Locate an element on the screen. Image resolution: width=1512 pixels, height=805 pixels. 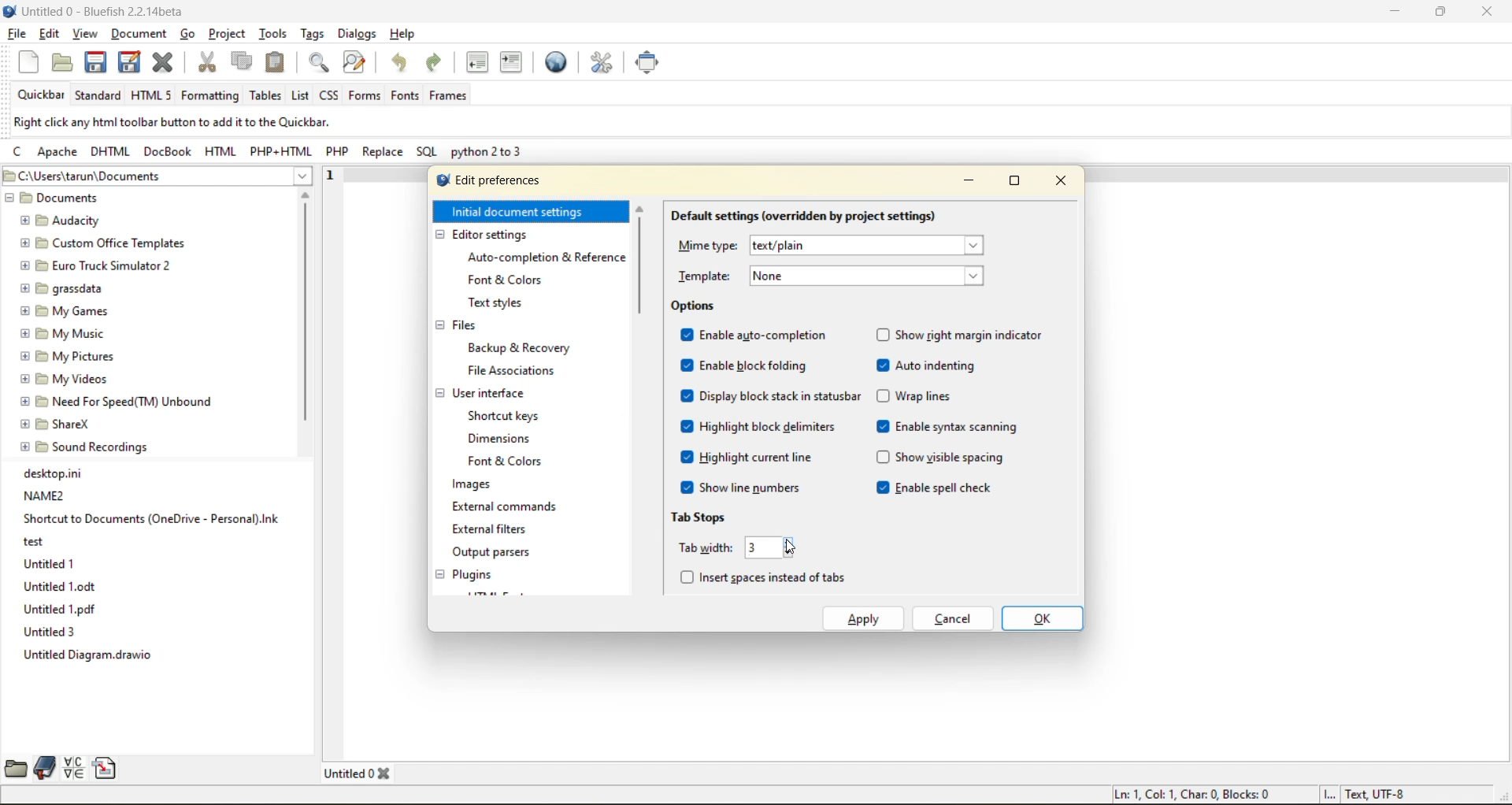
editor settings is located at coordinates (494, 236).